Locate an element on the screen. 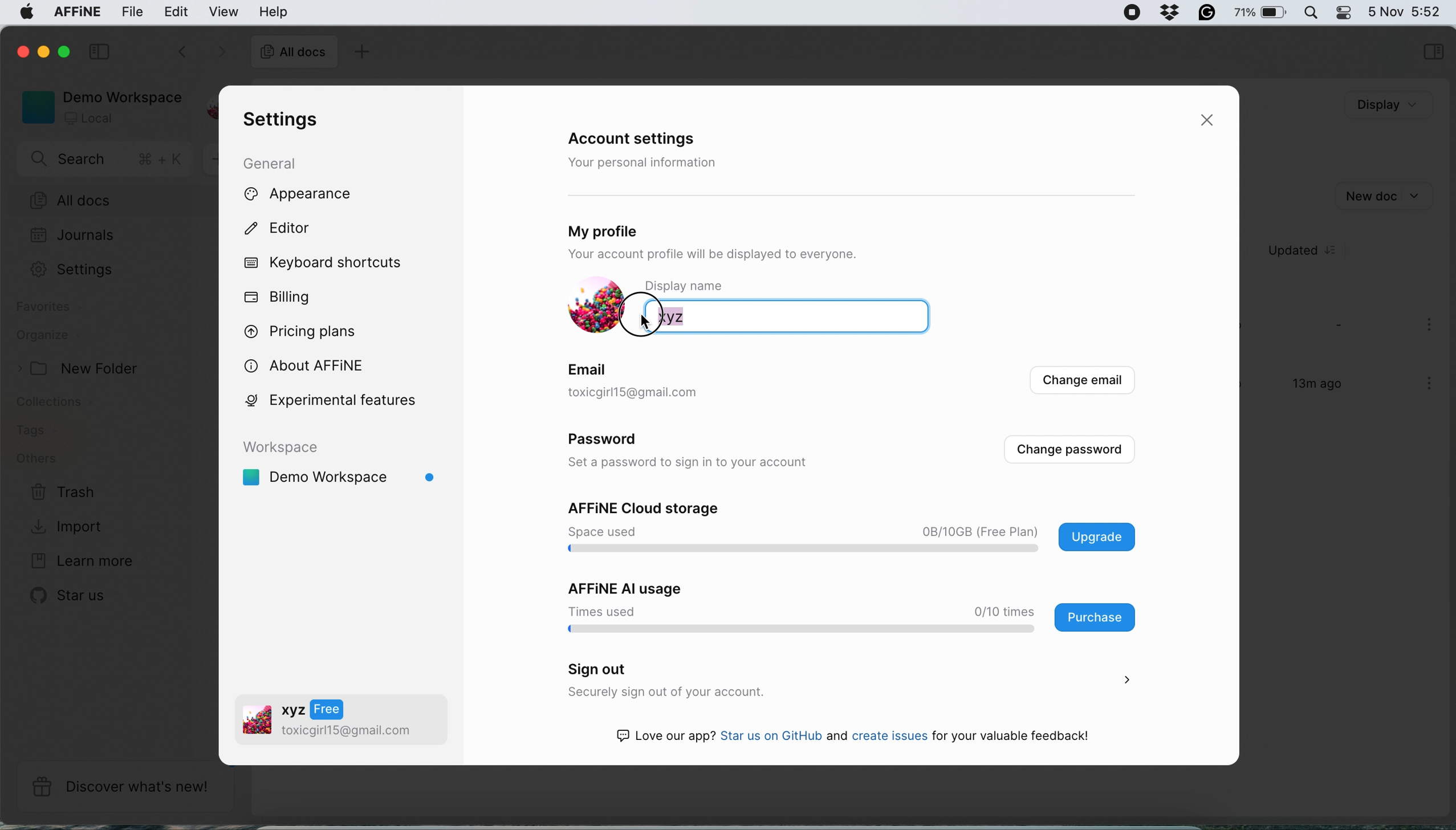 This screenshot has width=1456, height=830. about affine is located at coordinates (311, 364).